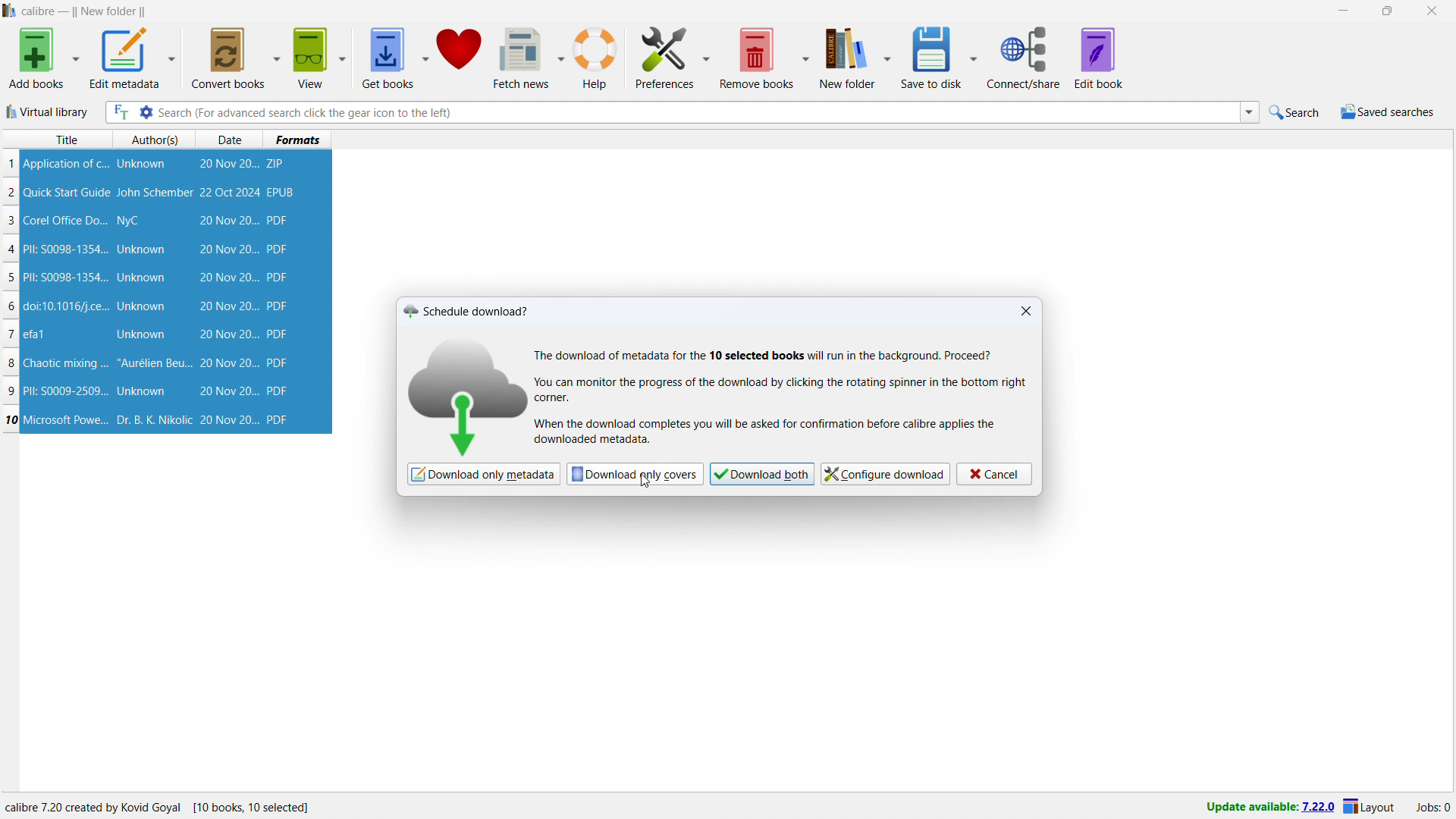  I want to click on update, so click(1267, 808).